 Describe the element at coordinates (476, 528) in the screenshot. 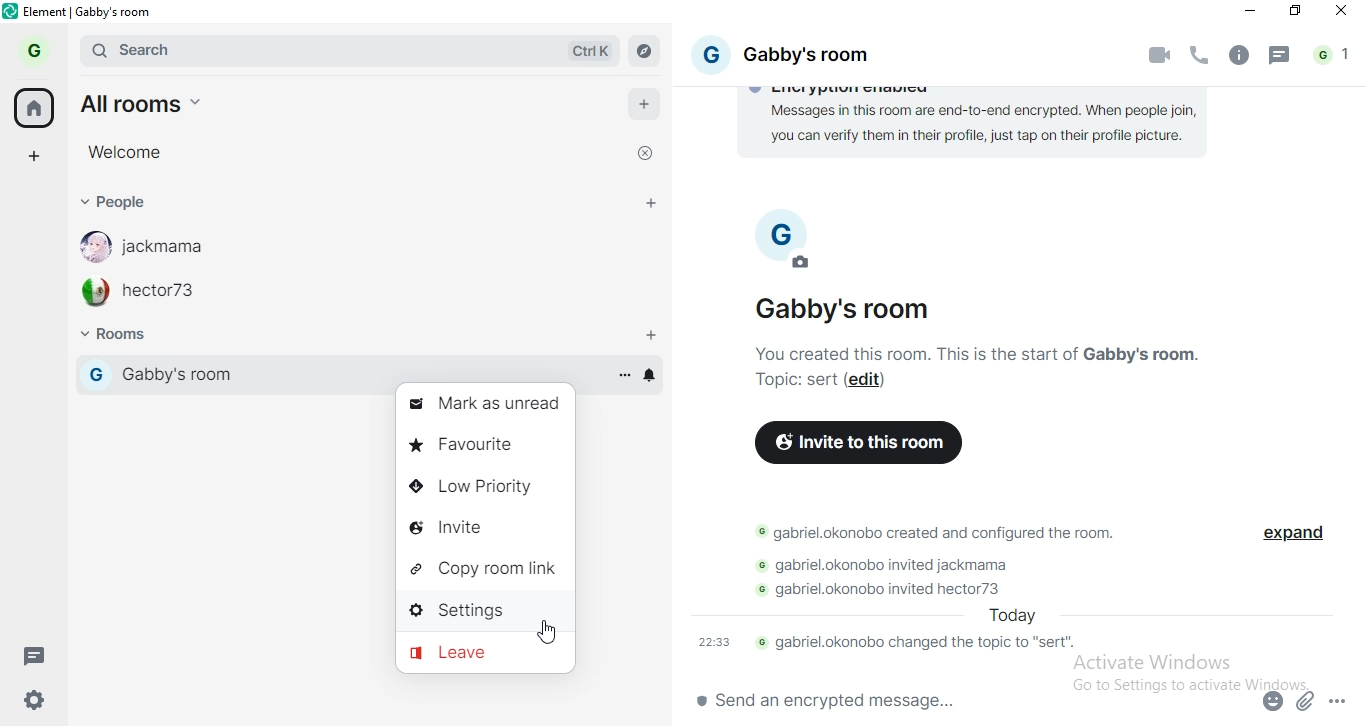

I see `invite` at that location.